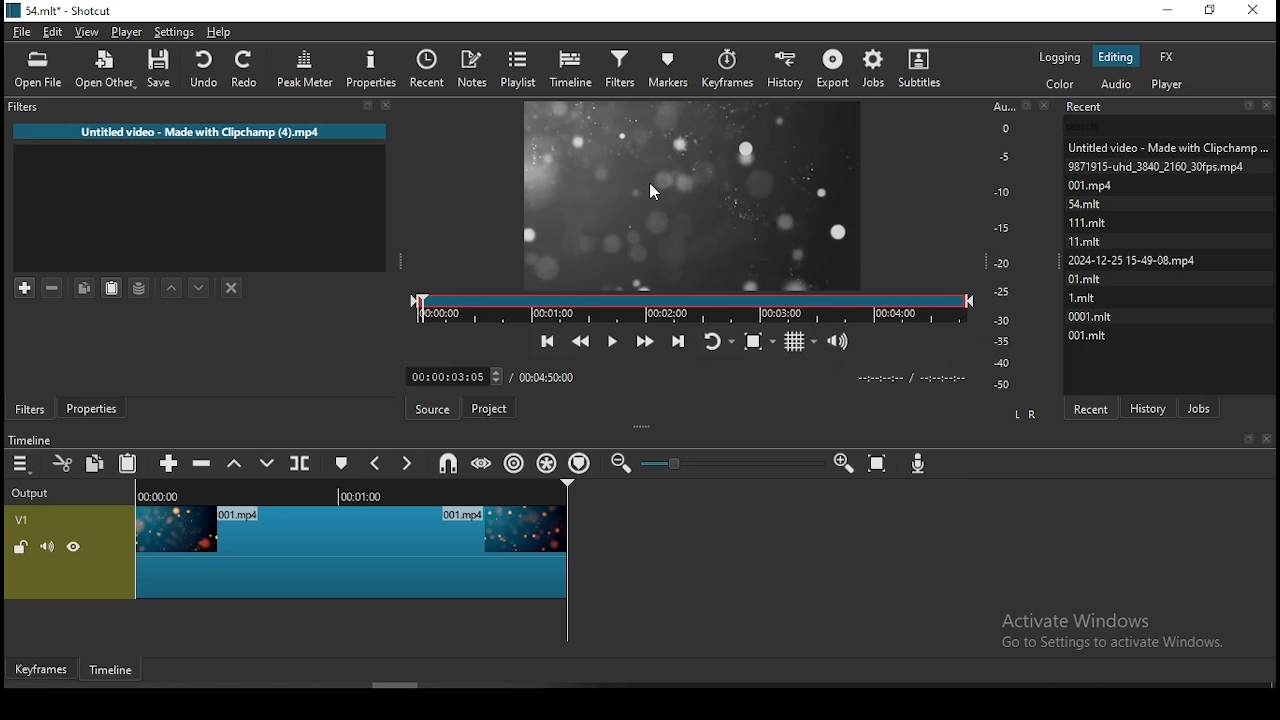  Describe the element at coordinates (172, 32) in the screenshot. I see `settings` at that location.